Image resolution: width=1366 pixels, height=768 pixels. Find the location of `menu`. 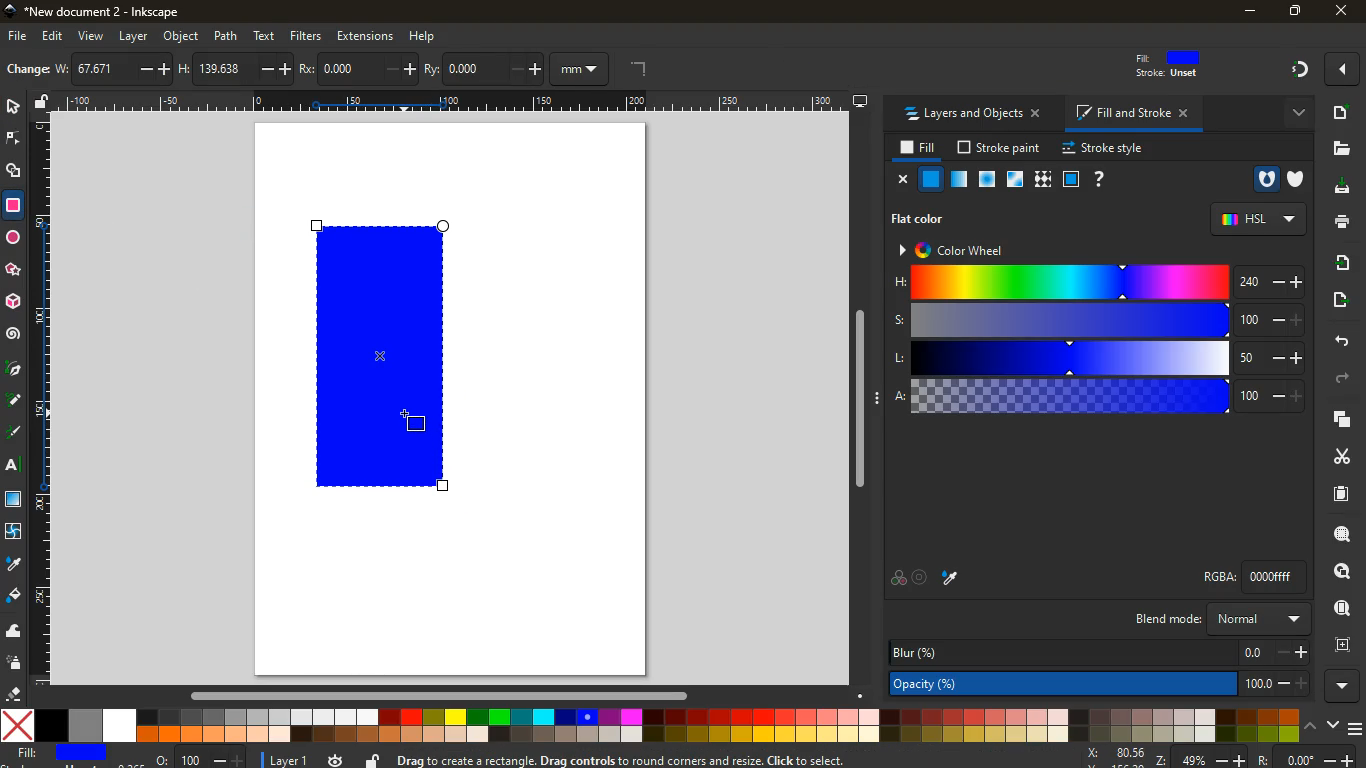

menu is located at coordinates (1354, 729).